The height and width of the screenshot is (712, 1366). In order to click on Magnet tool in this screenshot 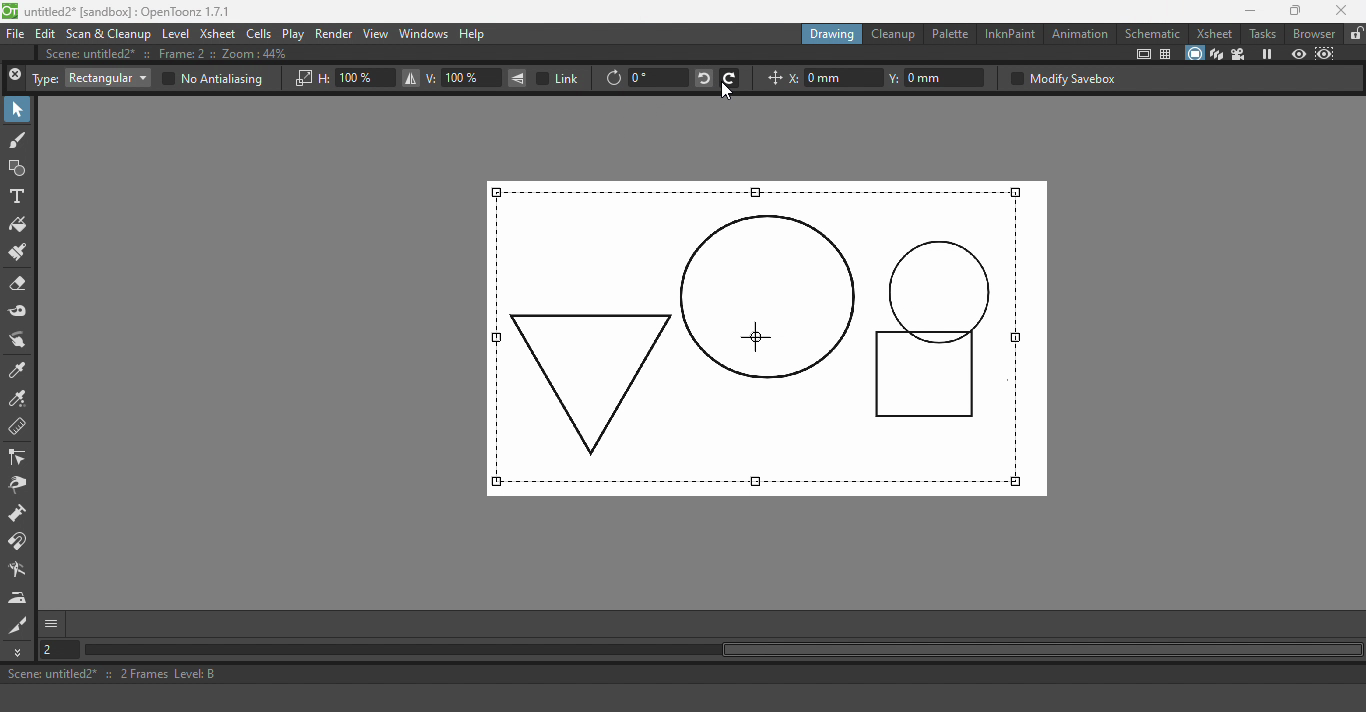, I will do `click(20, 543)`.